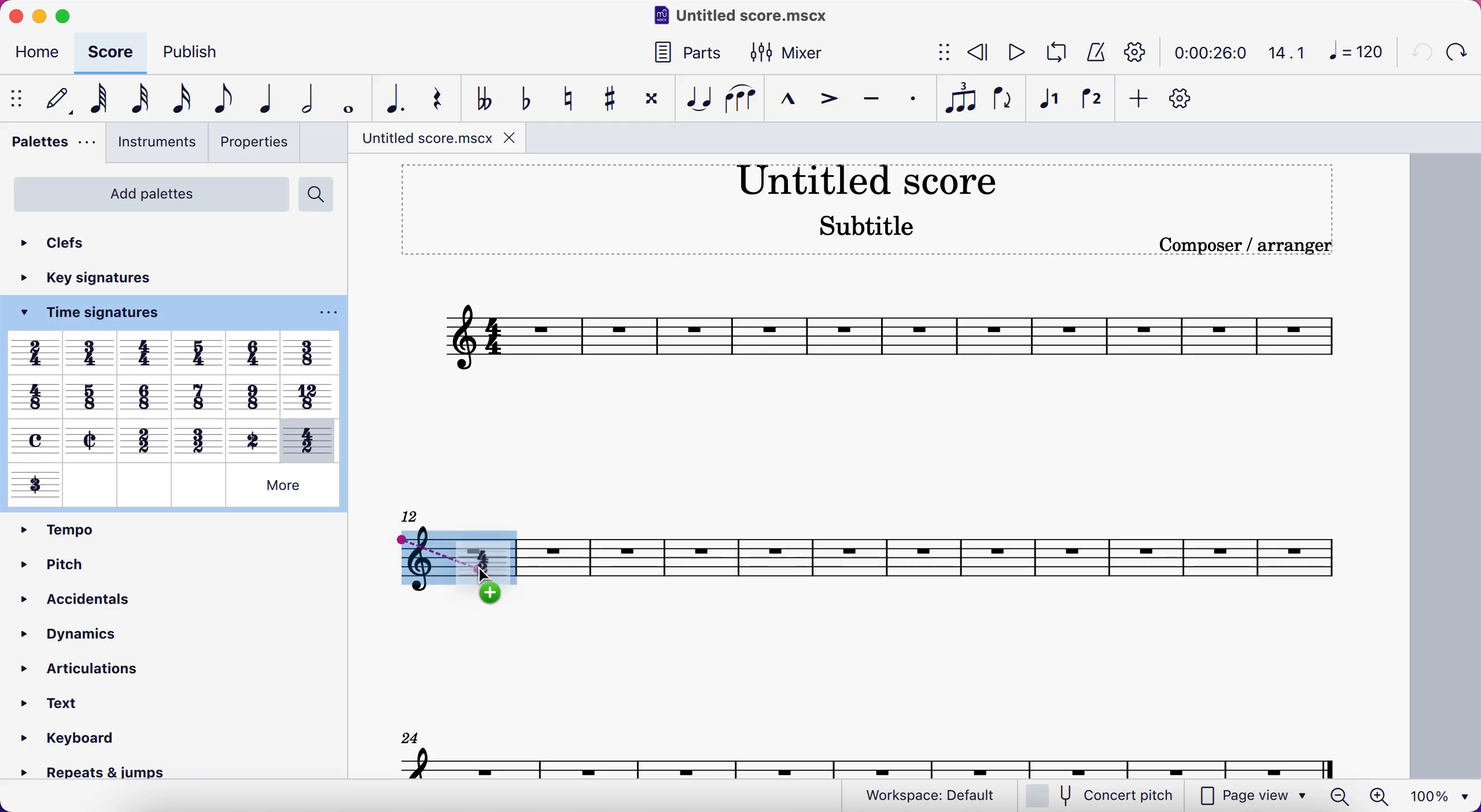 The width and height of the screenshot is (1481, 812). What do you see at coordinates (19, 97) in the screenshot?
I see `show/hide` at bounding box center [19, 97].